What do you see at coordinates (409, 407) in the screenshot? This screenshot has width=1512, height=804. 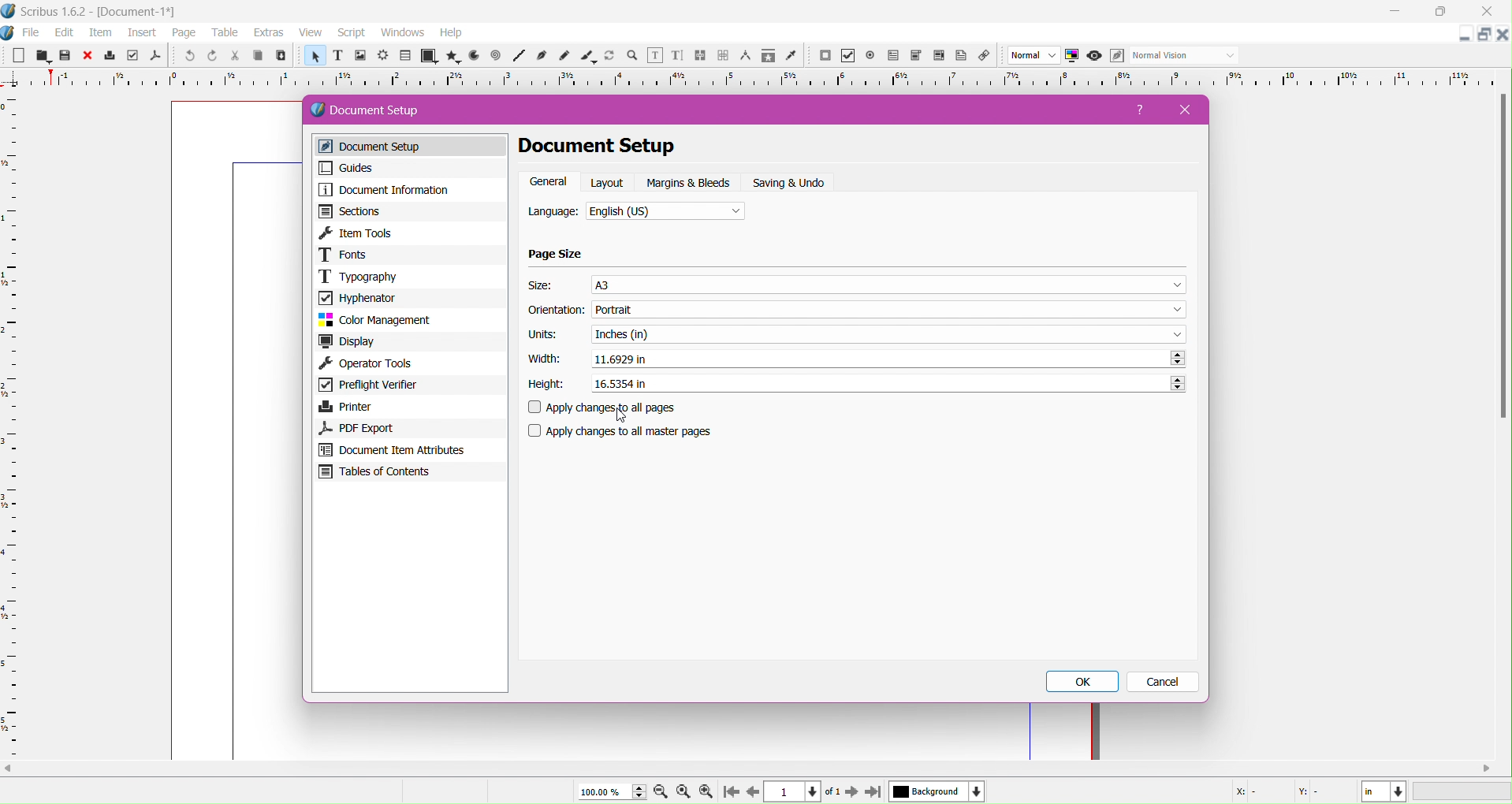 I see `Printer` at bounding box center [409, 407].